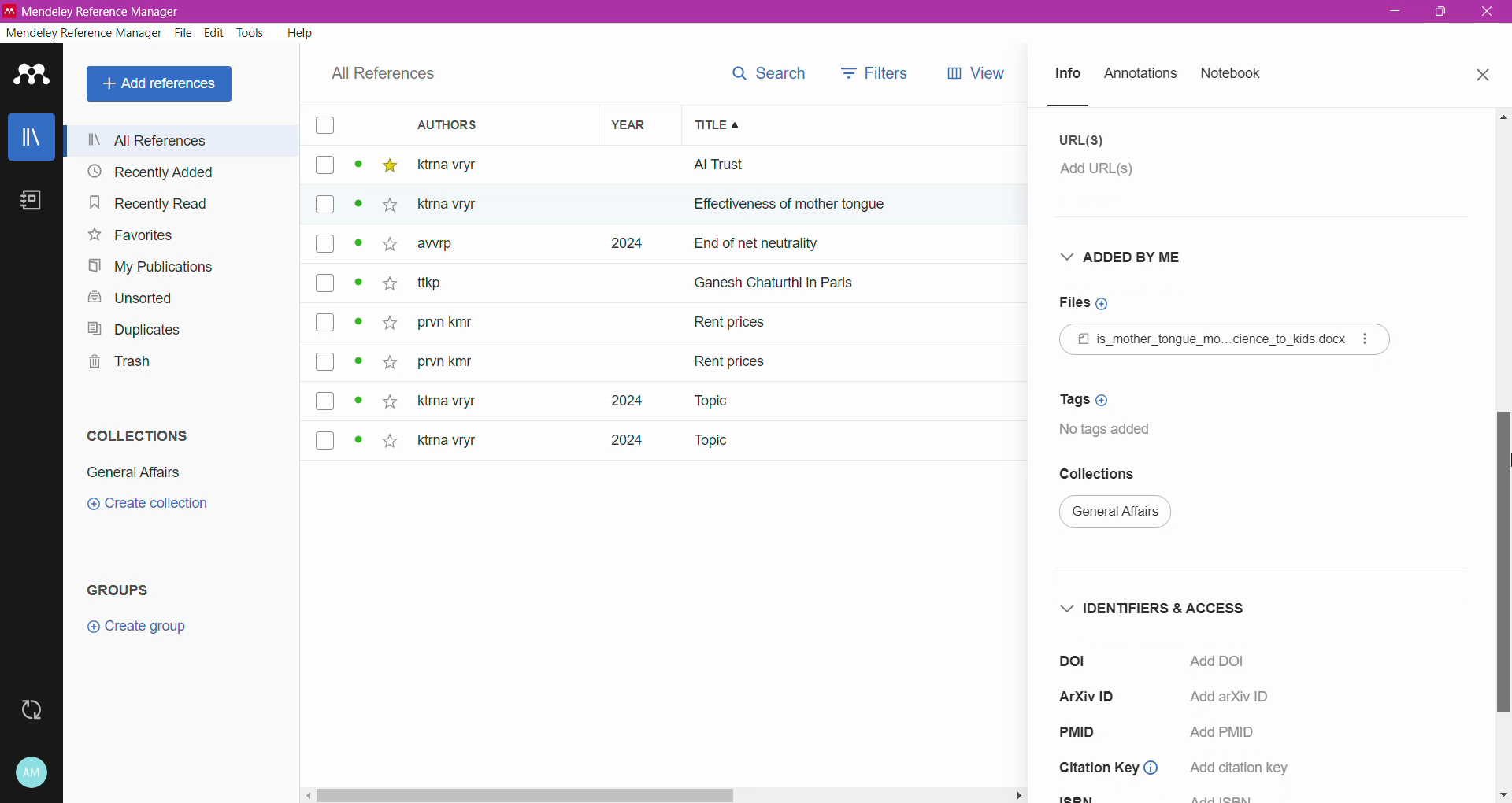  I want to click on Trash, so click(117, 361).